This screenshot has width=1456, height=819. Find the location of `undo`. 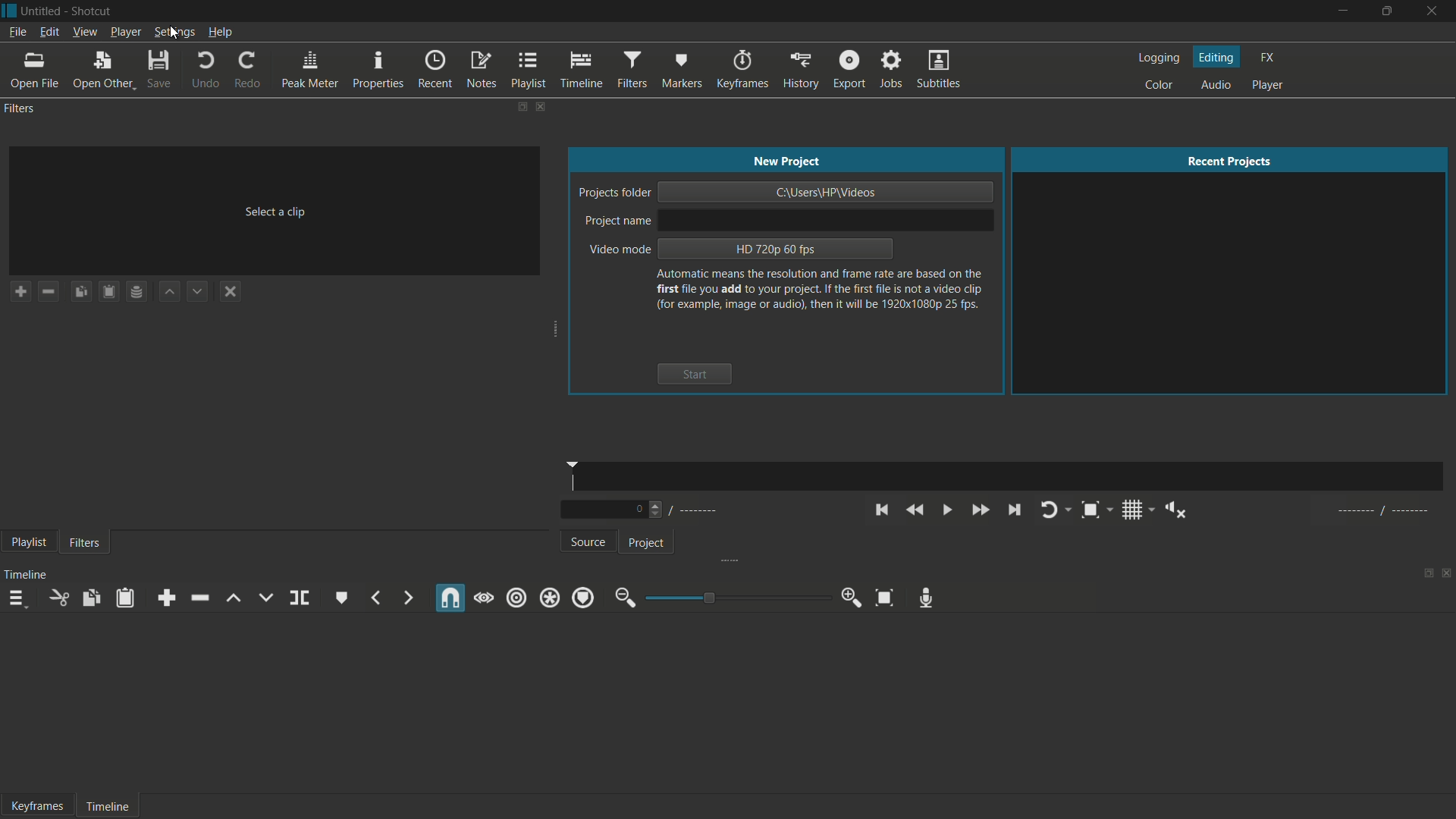

undo is located at coordinates (208, 71).